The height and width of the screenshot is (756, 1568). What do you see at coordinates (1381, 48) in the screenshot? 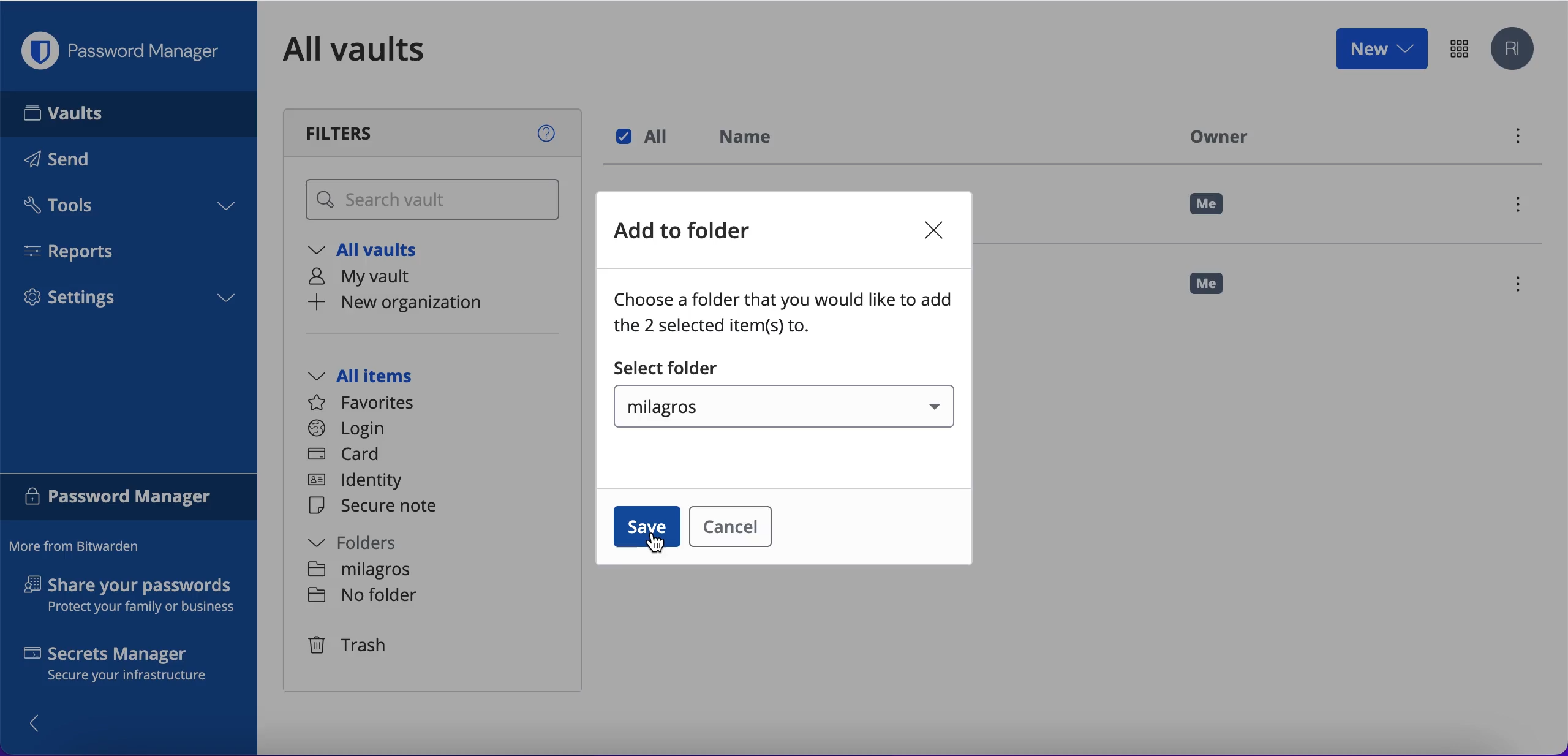
I see `new` at bounding box center [1381, 48].